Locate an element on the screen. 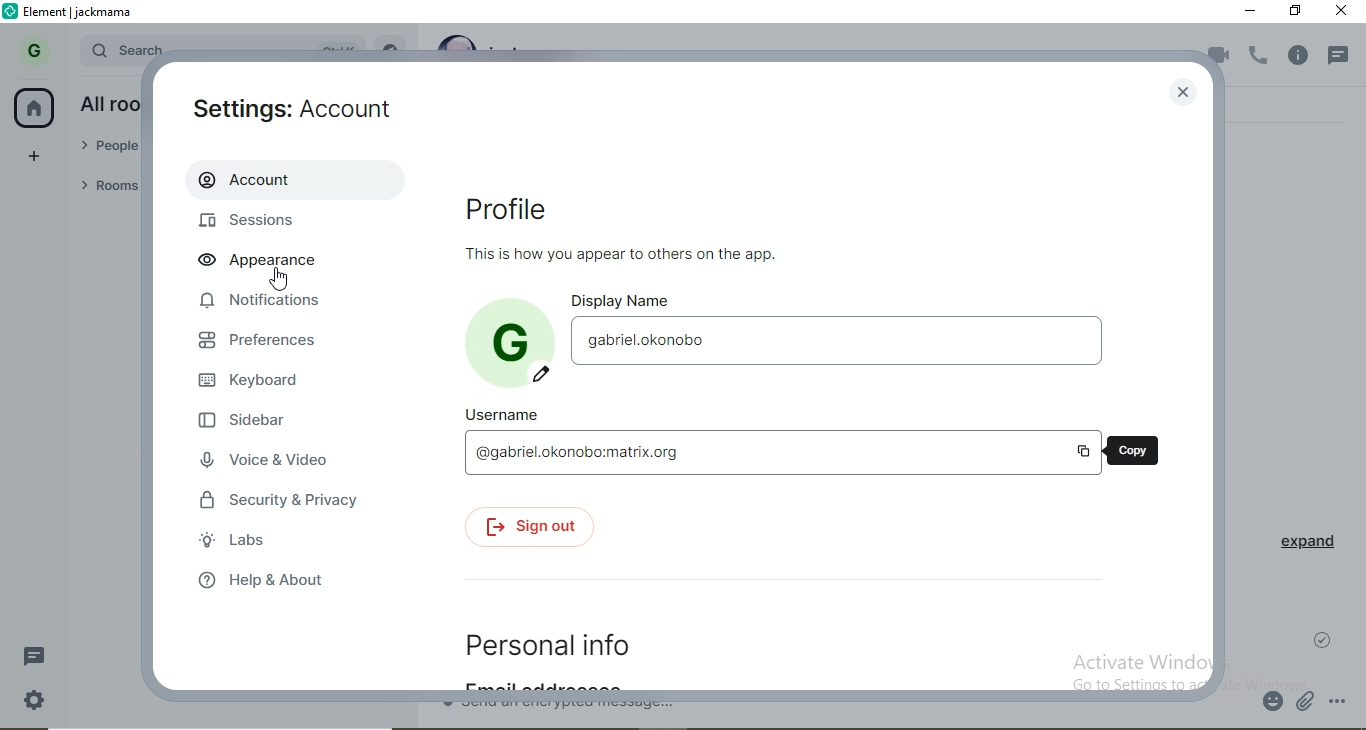 The height and width of the screenshot is (730, 1366). attachment is located at coordinates (1307, 704).